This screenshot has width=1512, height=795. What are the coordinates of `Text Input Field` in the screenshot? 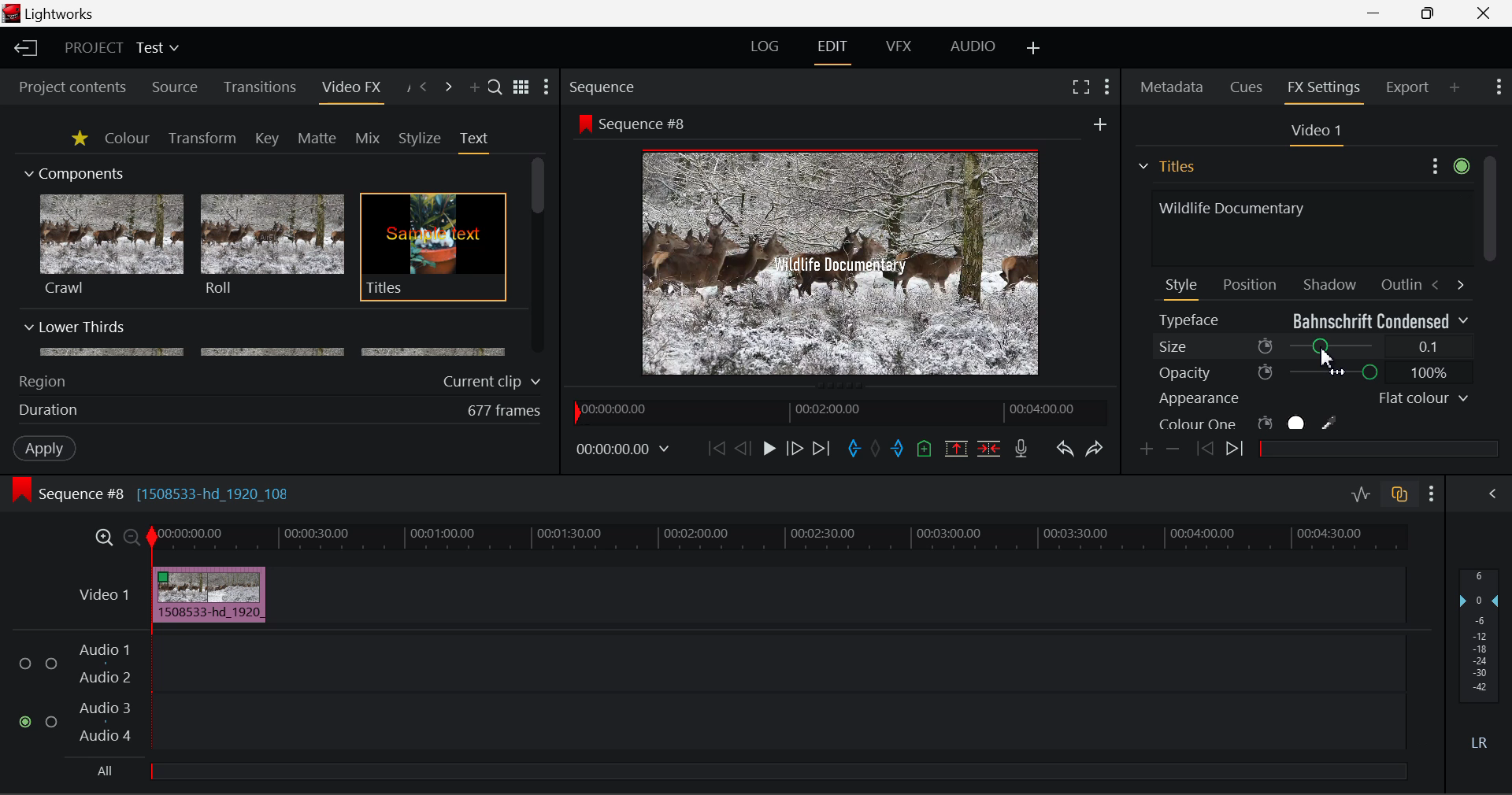 It's located at (1307, 226).